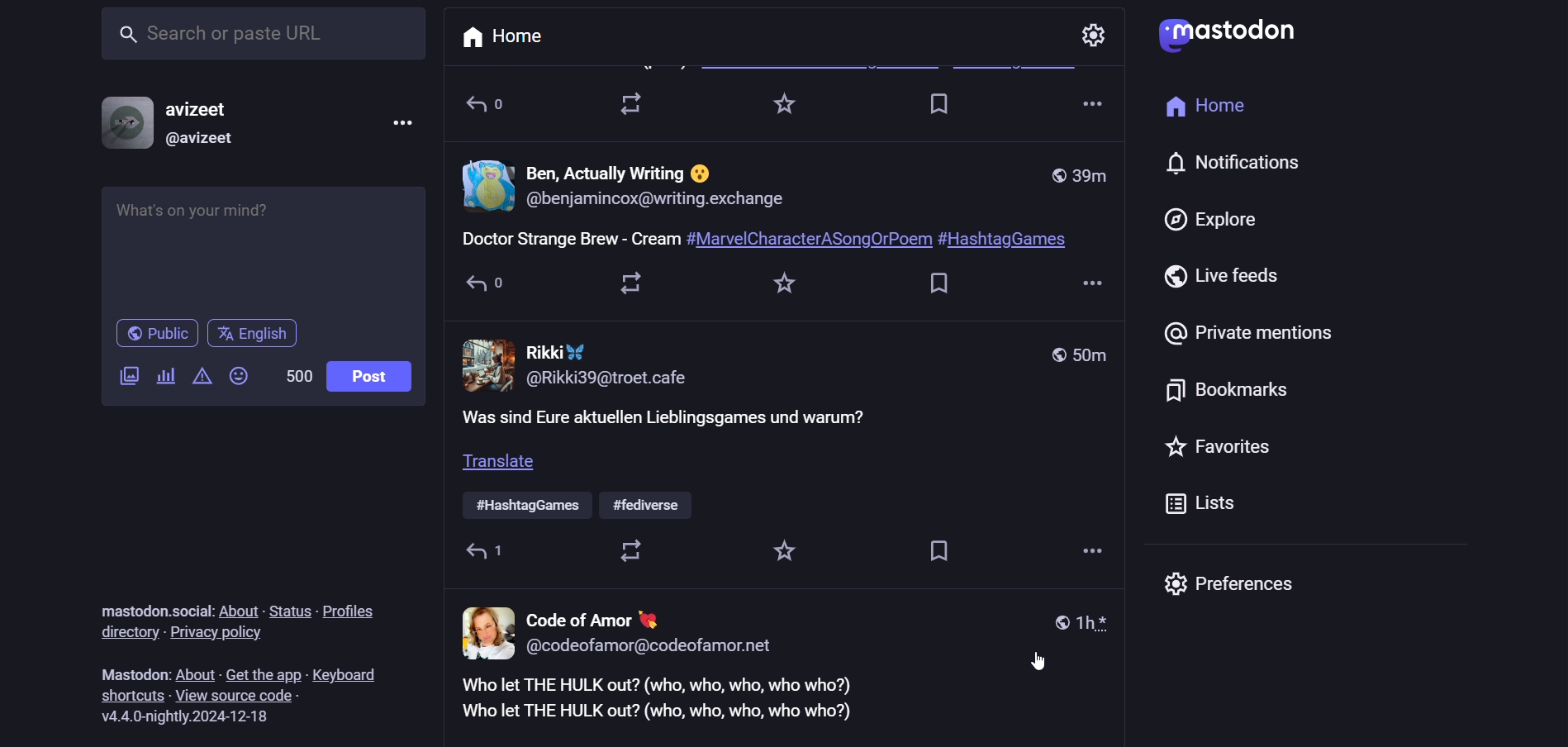  What do you see at coordinates (349, 612) in the screenshot?
I see `profiles` at bounding box center [349, 612].